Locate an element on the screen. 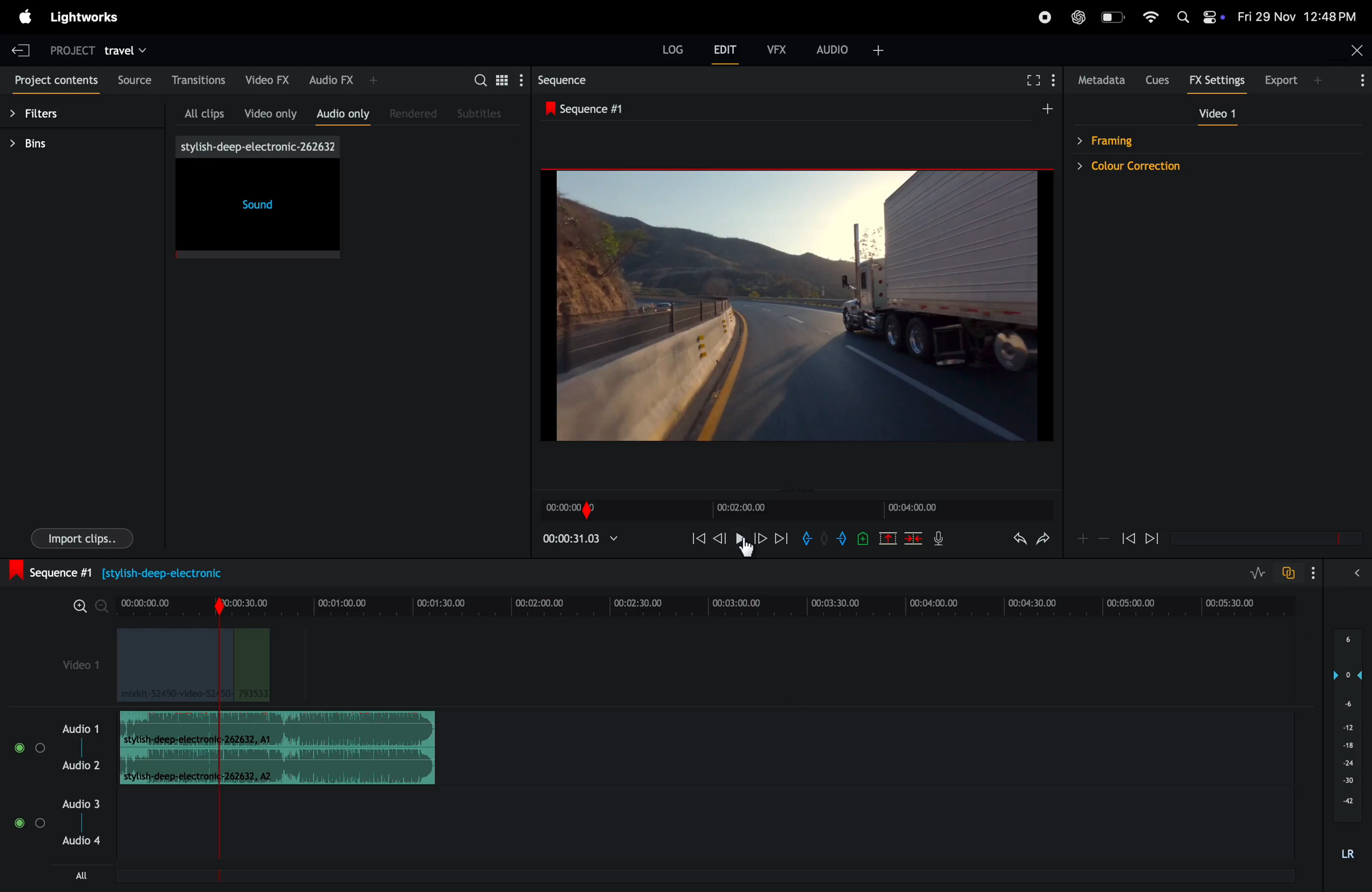  show menu is located at coordinates (1054, 79).